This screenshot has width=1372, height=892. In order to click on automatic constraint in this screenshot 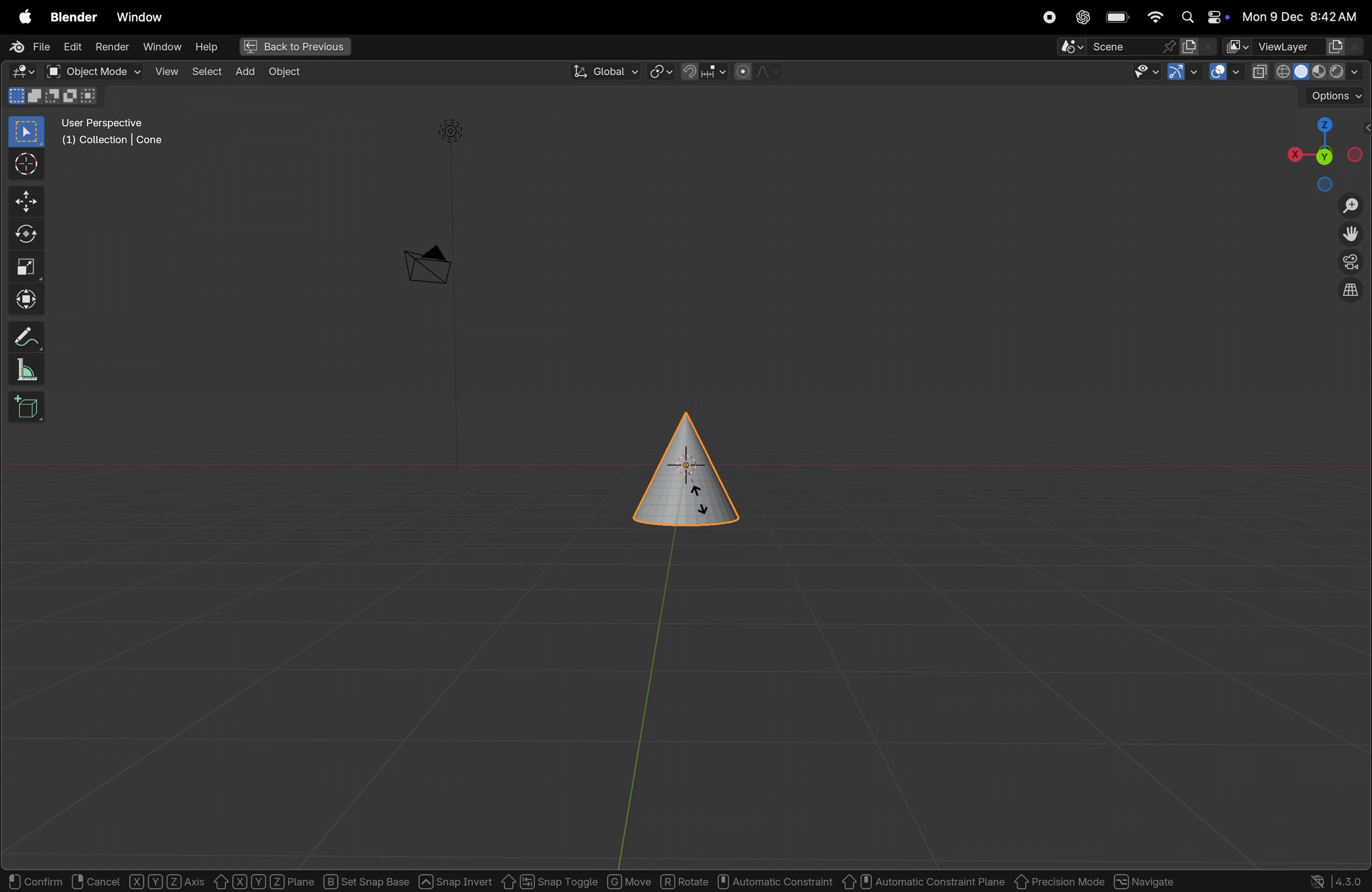, I will do `click(776, 880)`.